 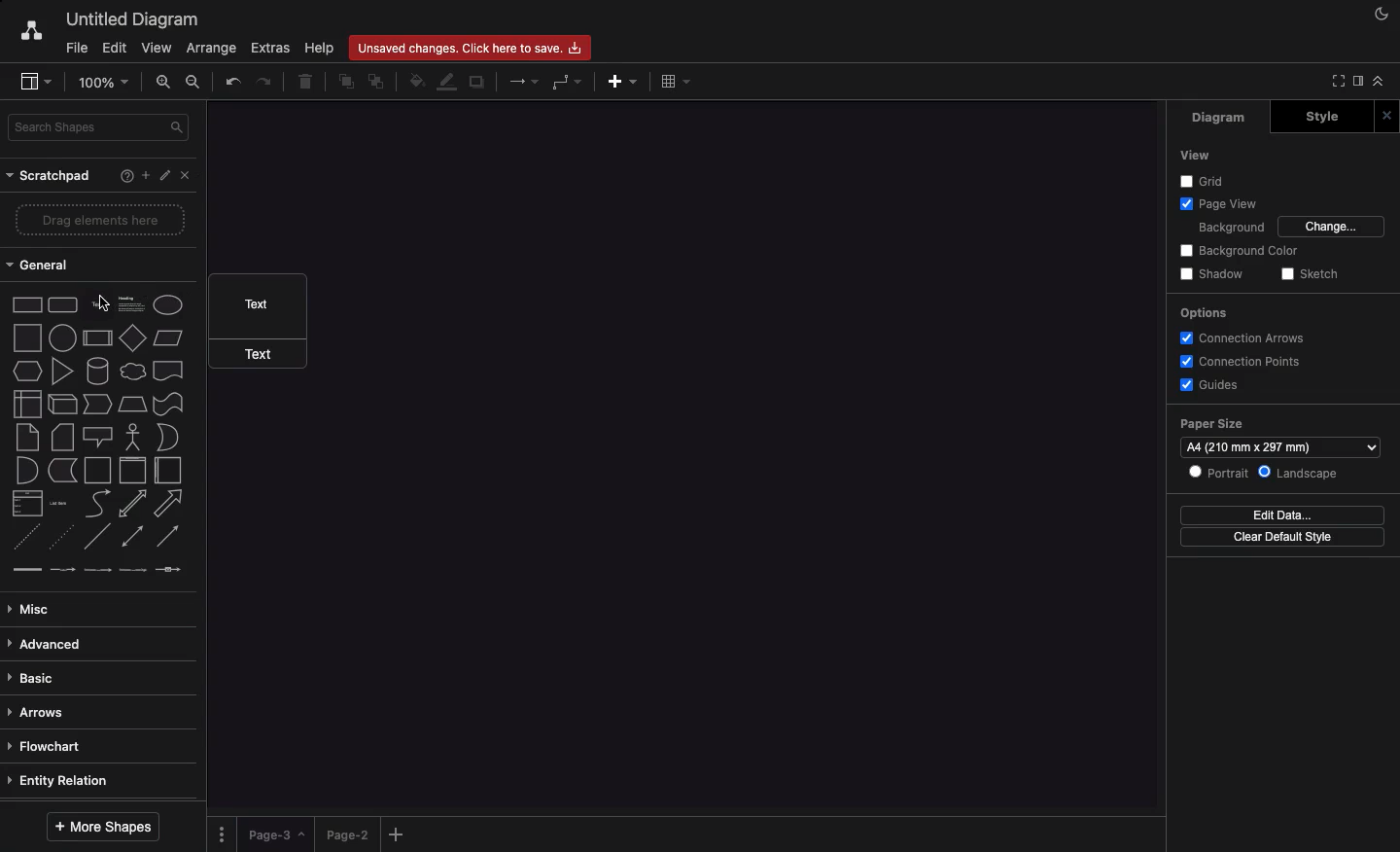 What do you see at coordinates (1219, 473) in the screenshot?
I see `Portrait` at bounding box center [1219, 473].